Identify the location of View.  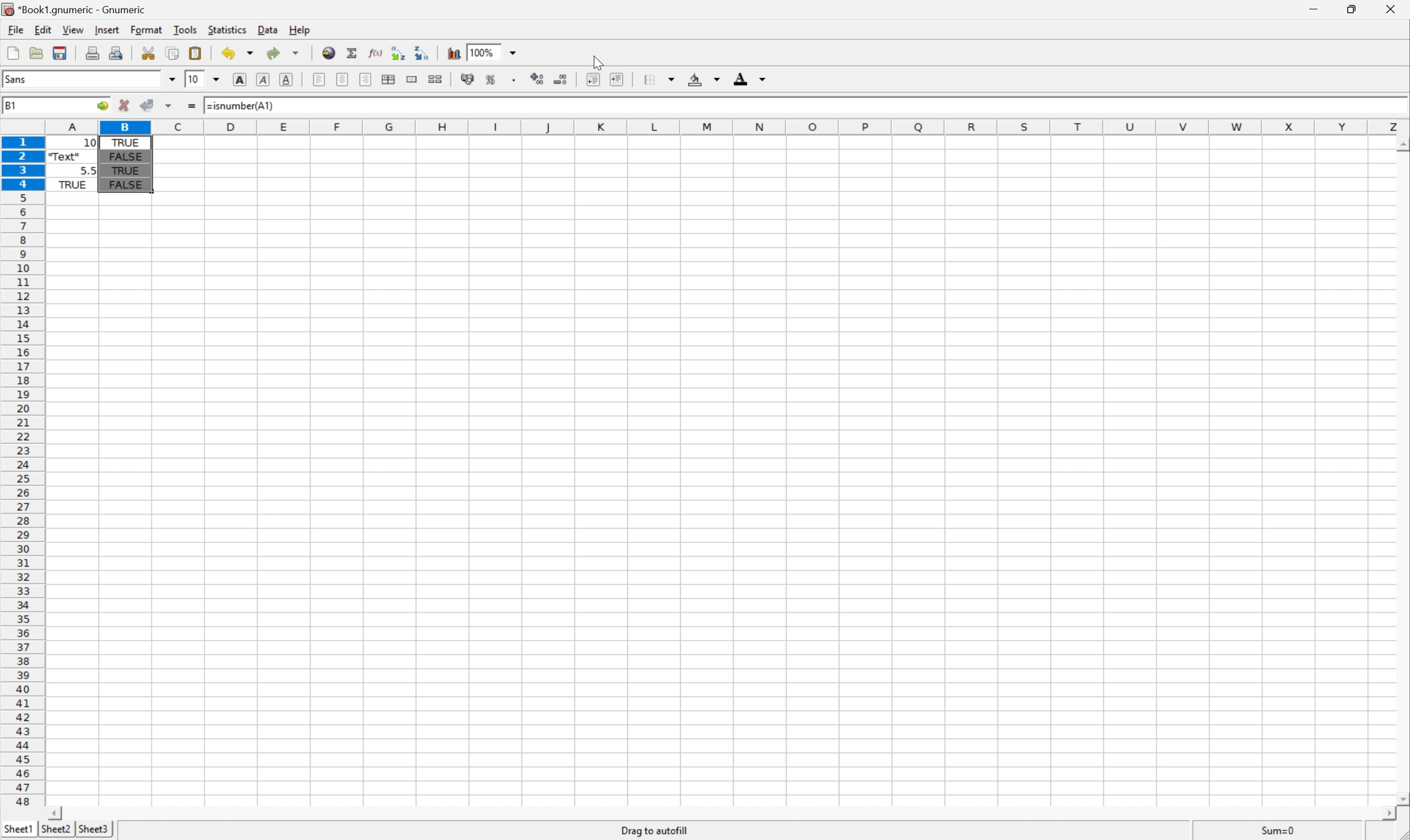
(73, 28).